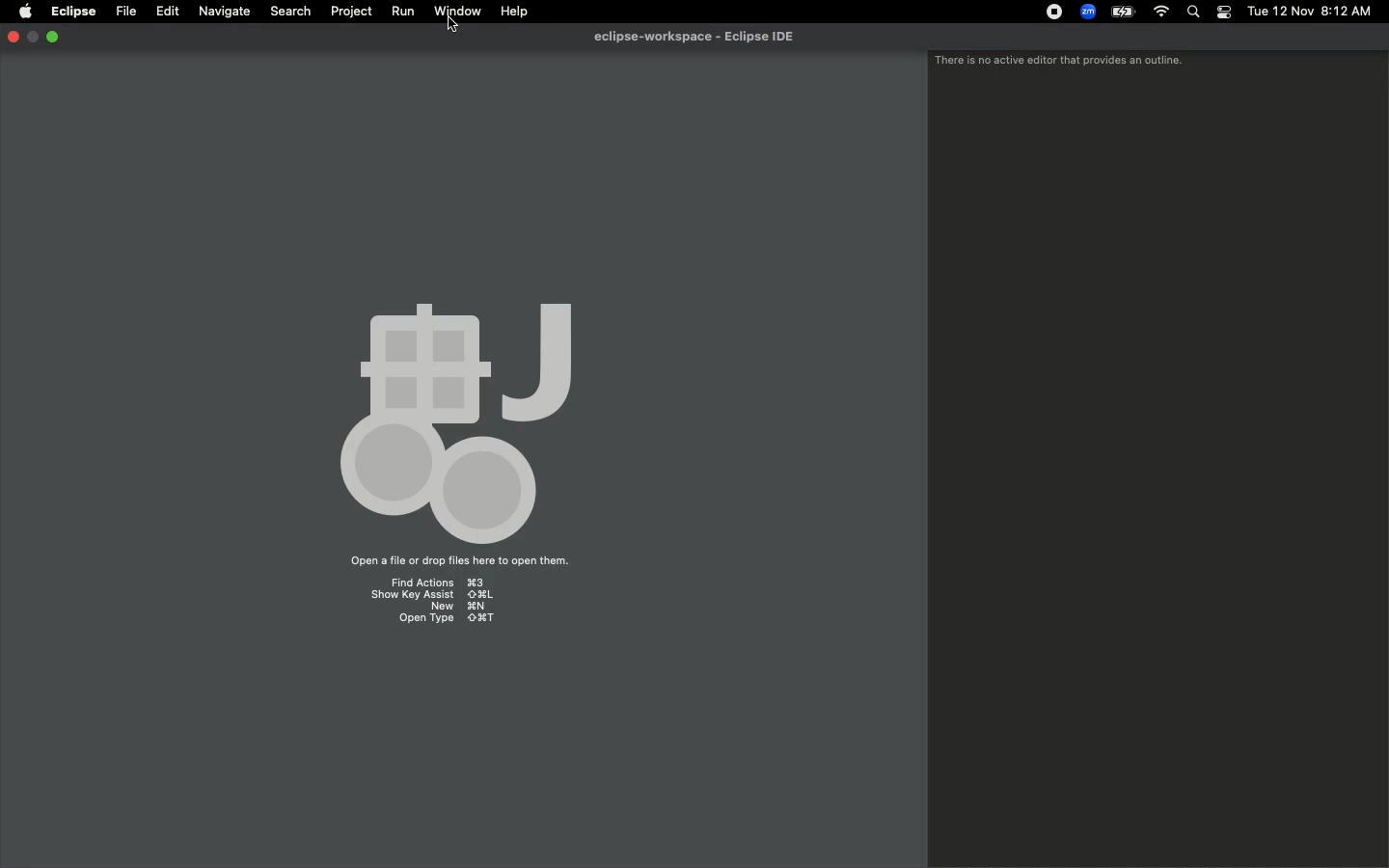  Describe the element at coordinates (53, 38) in the screenshot. I see `Maximize` at that location.